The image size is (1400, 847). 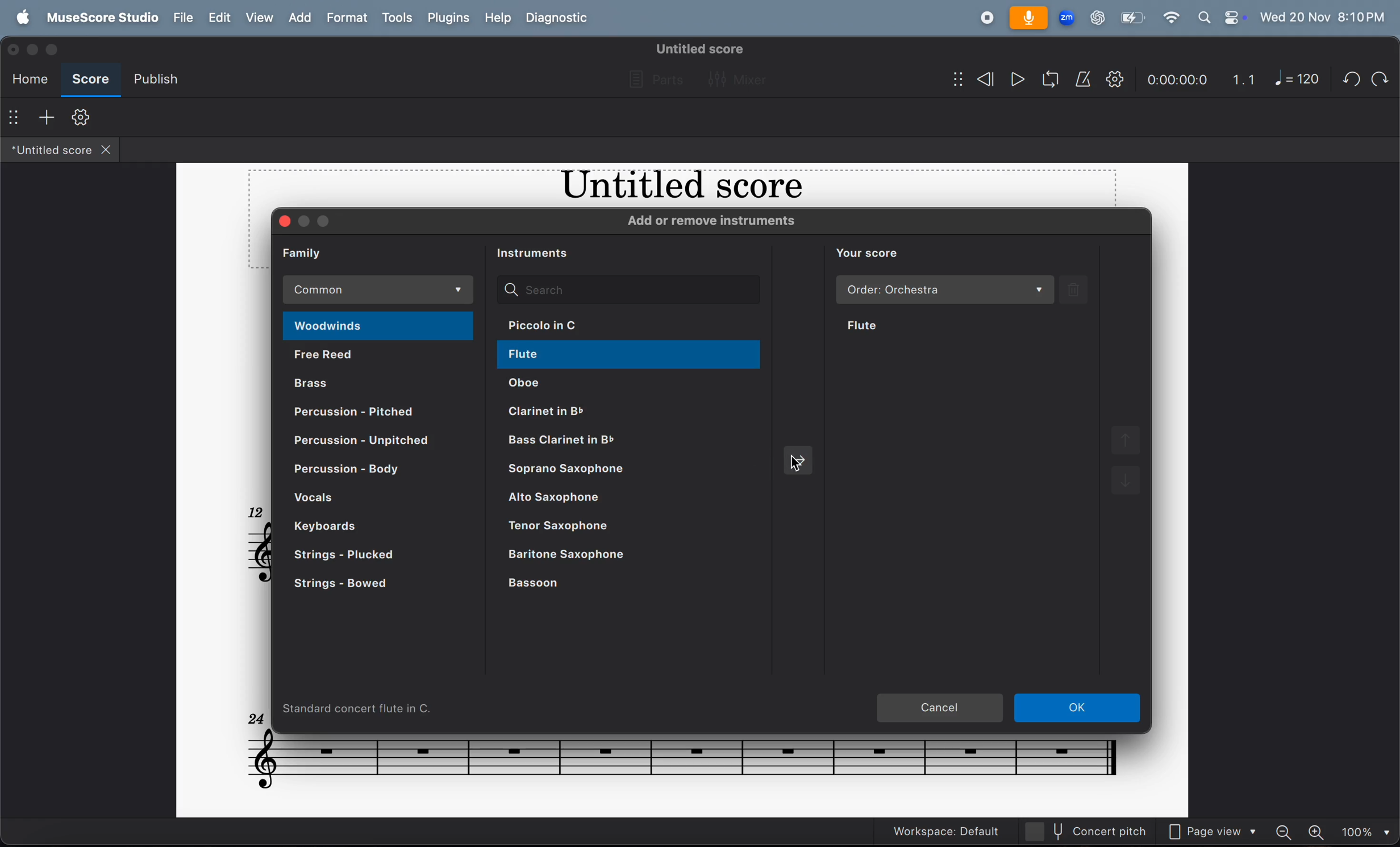 I want to click on play, so click(x=1014, y=78).